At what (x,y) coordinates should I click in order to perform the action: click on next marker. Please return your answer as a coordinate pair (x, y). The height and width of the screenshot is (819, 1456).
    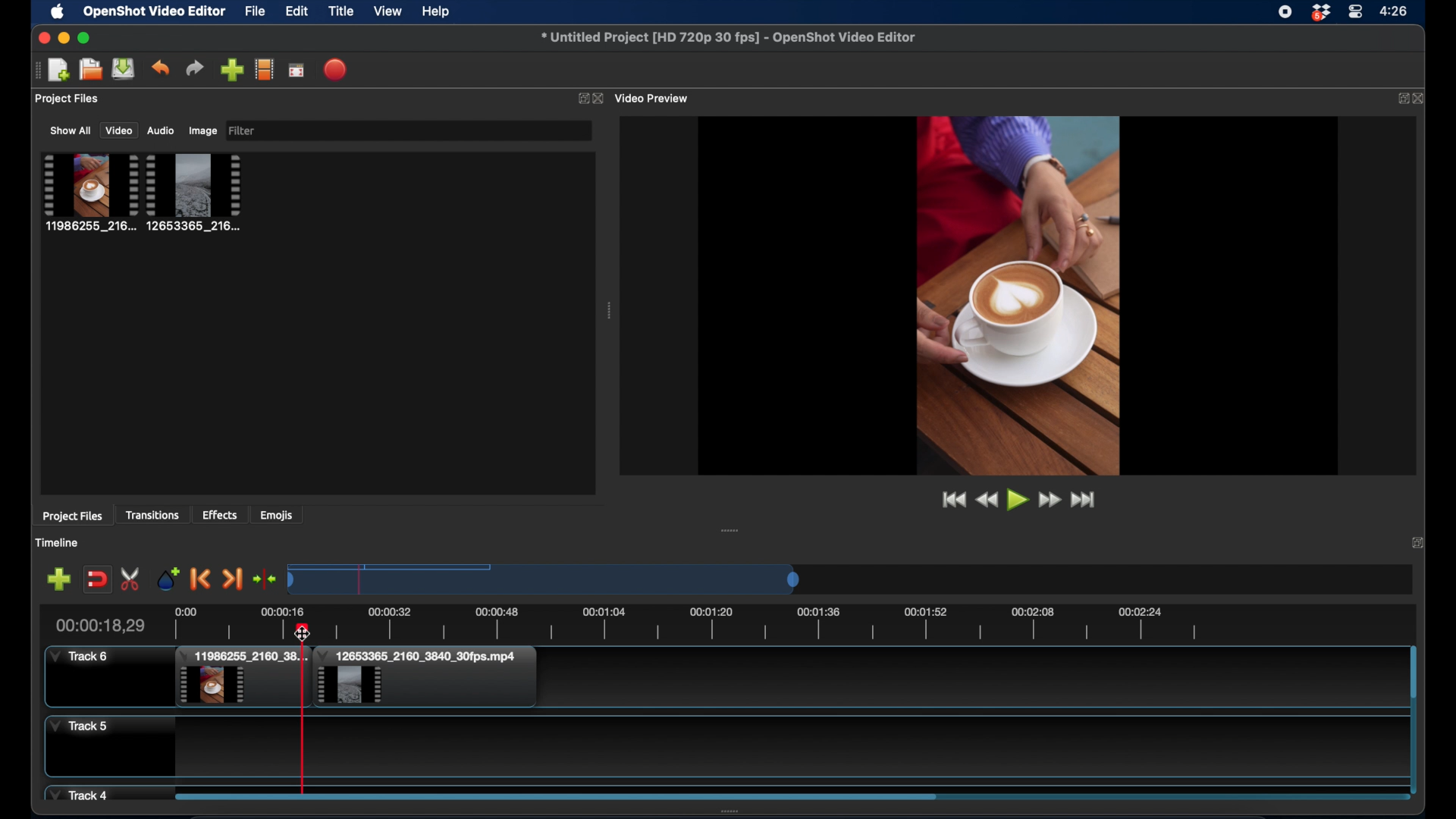
    Looking at the image, I should click on (232, 579).